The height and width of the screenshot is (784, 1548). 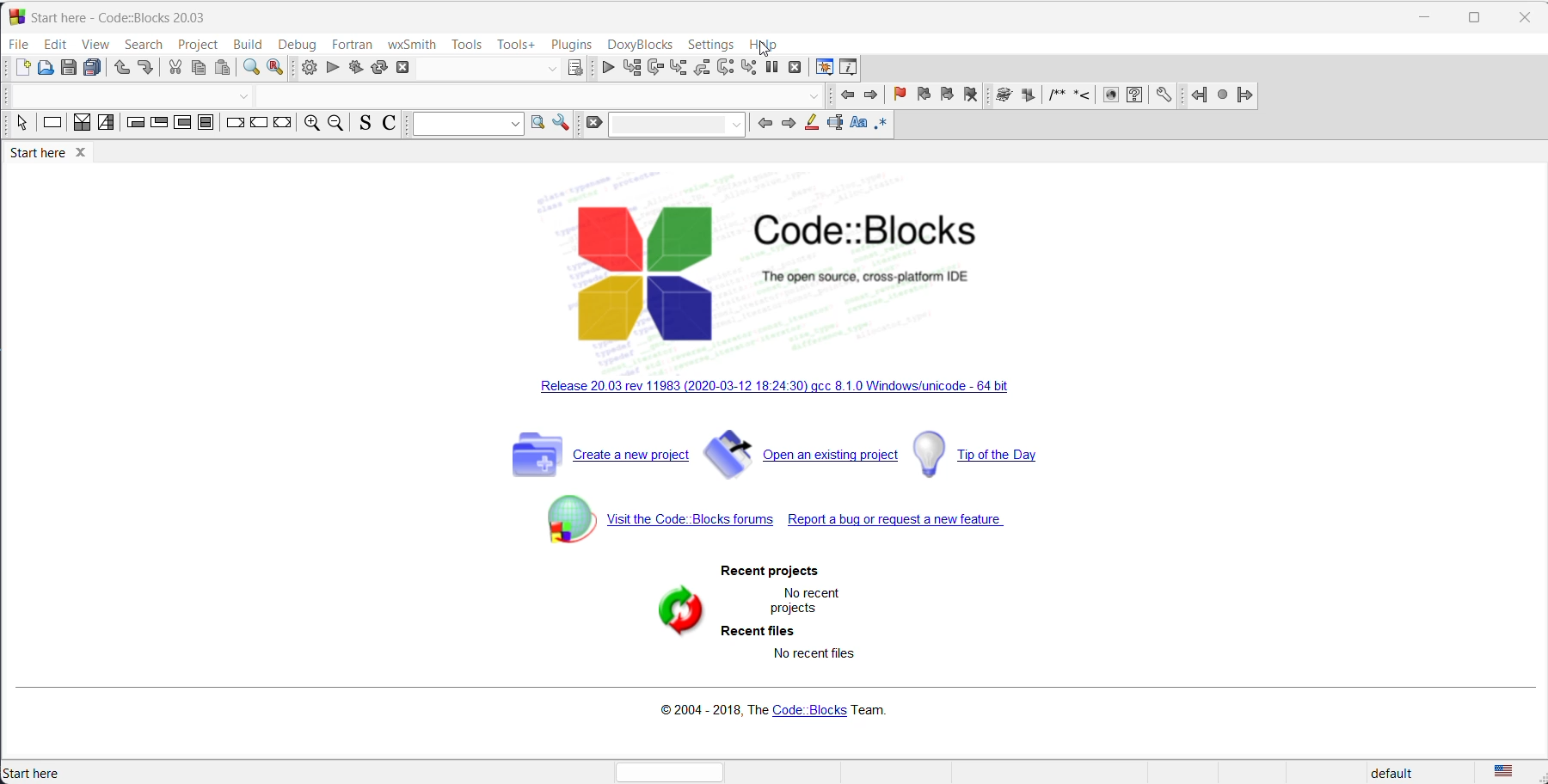 I want to click on Search, so click(x=144, y=44).